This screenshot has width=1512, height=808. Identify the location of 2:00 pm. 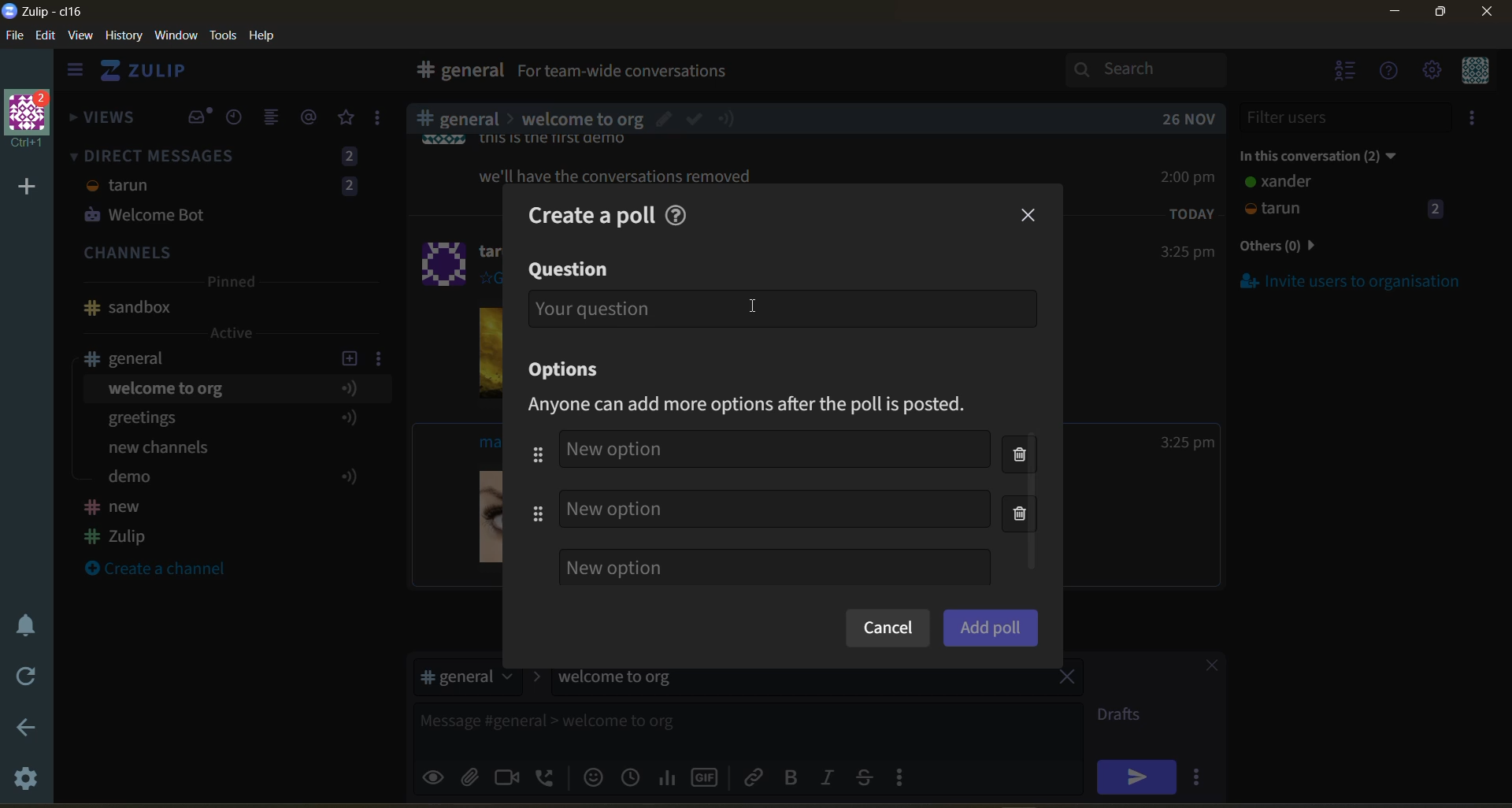
(1190, 176).